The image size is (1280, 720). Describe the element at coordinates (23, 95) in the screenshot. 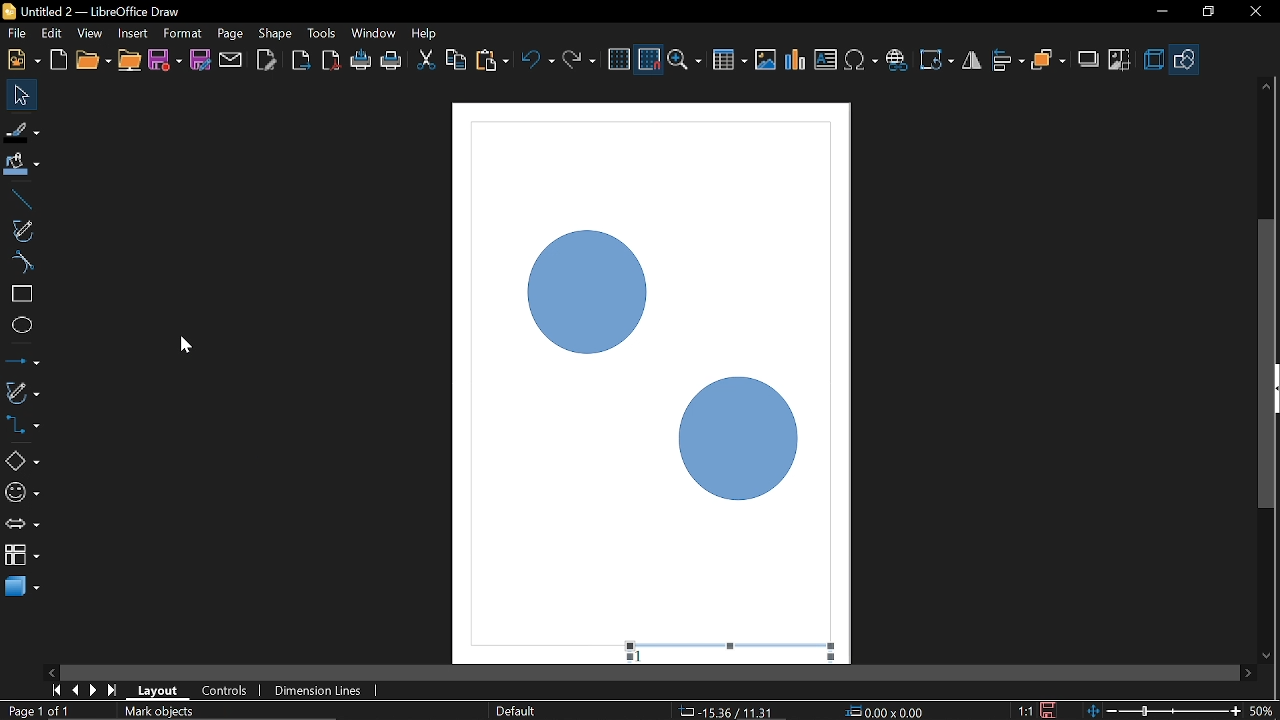

I see `Select` at that location.